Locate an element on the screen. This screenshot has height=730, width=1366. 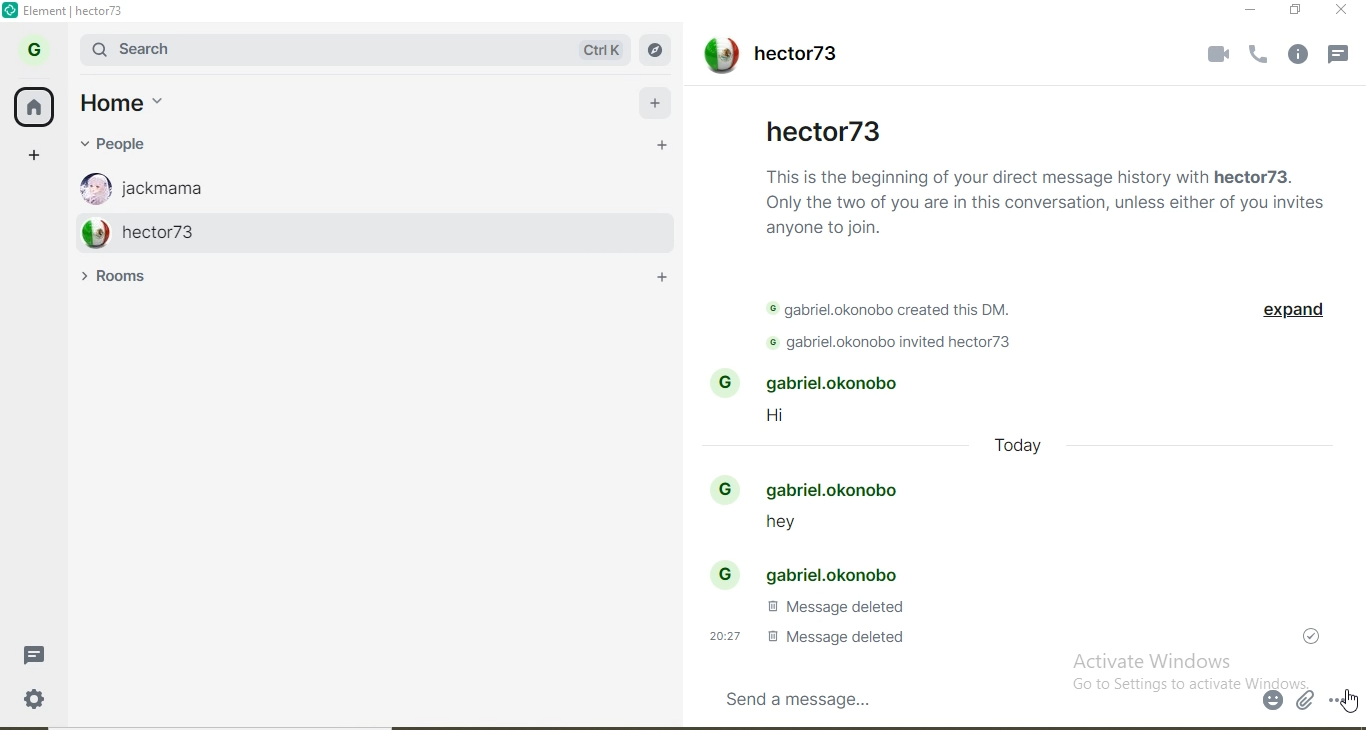
add space is located at coordinates (35, 153).